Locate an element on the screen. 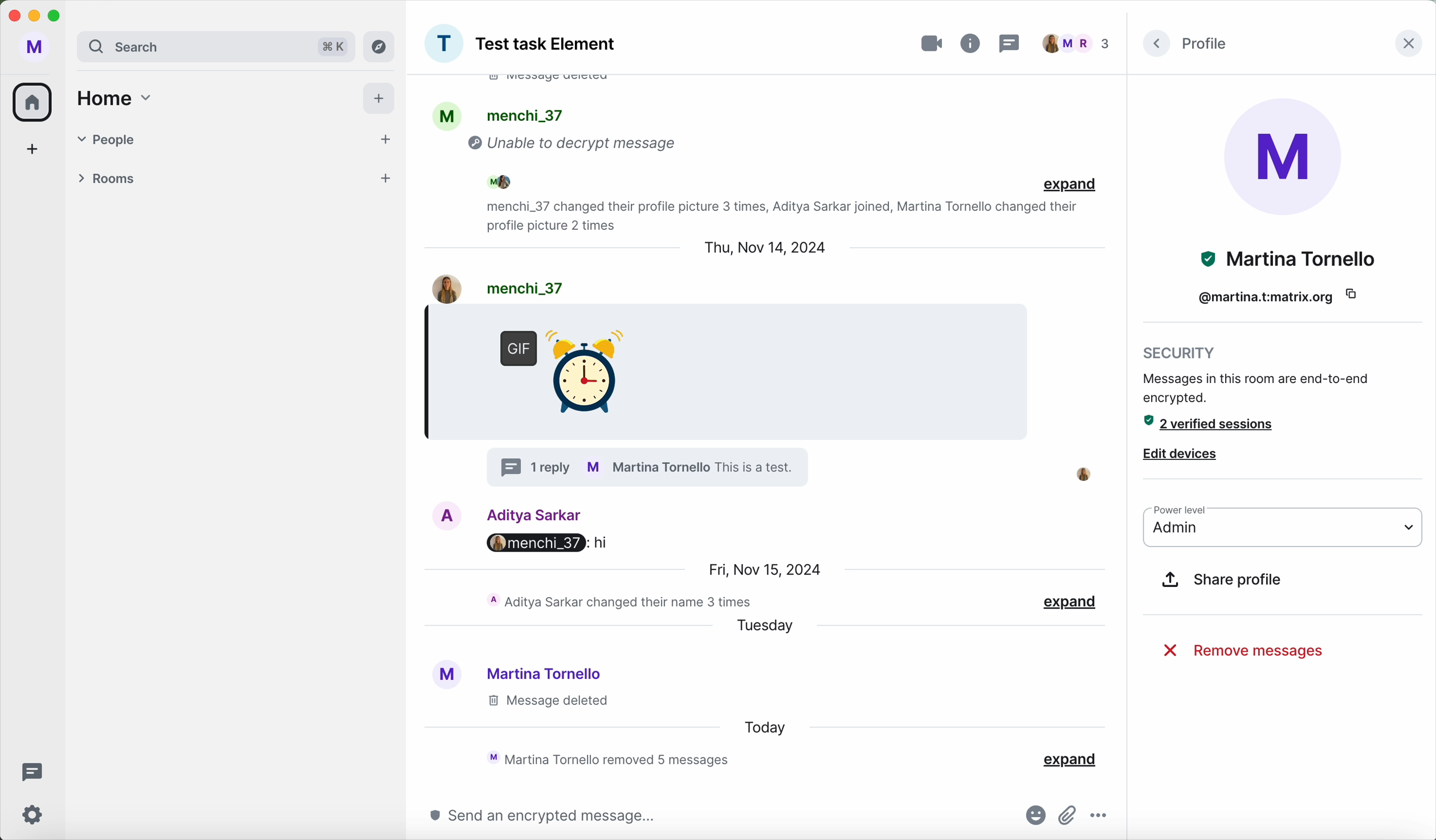 The width and height of the screenshot is (1436, 840). info is located at coordinates (972, 42).